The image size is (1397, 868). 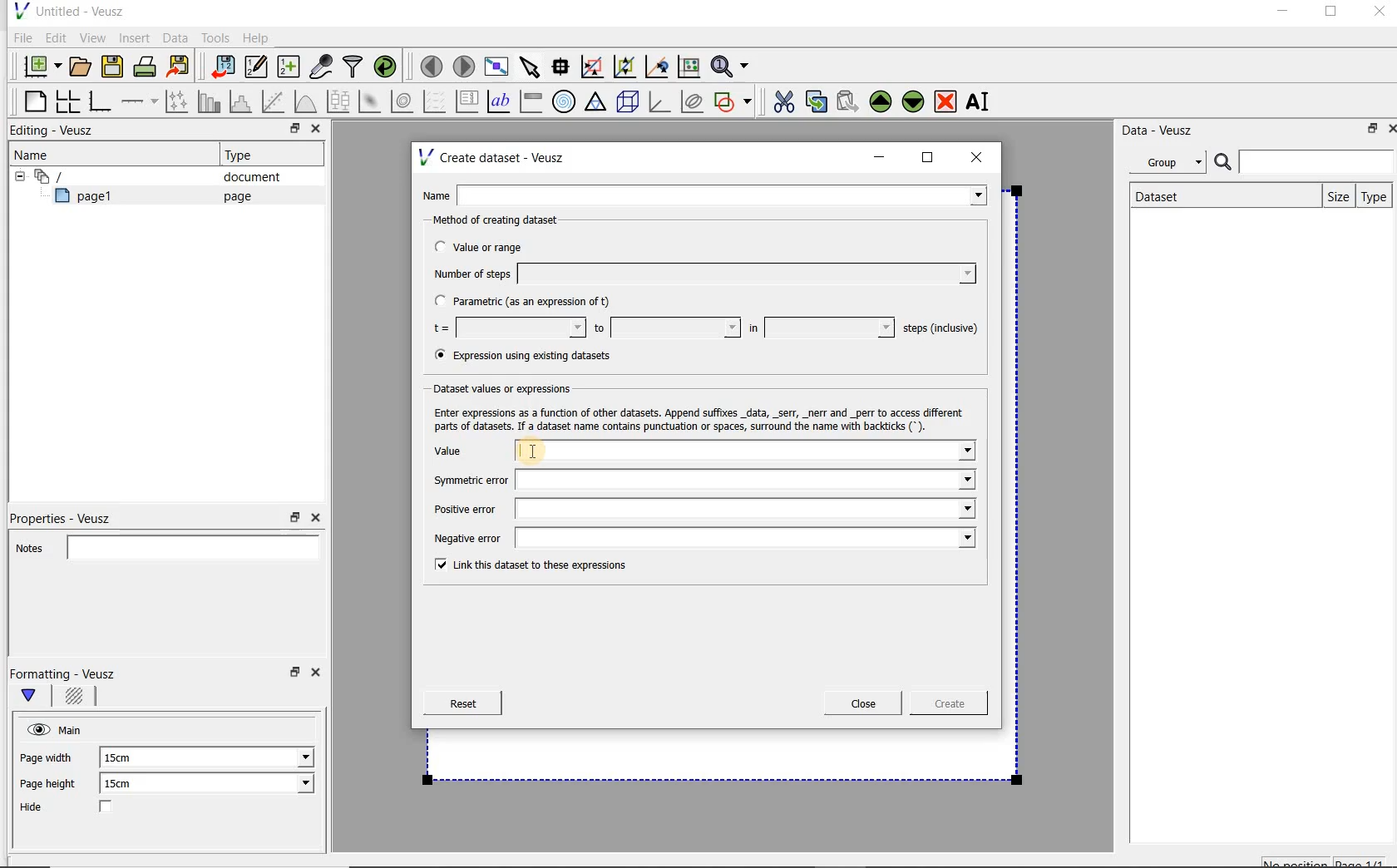 I want to click on new document, so click(x=38, y=64).